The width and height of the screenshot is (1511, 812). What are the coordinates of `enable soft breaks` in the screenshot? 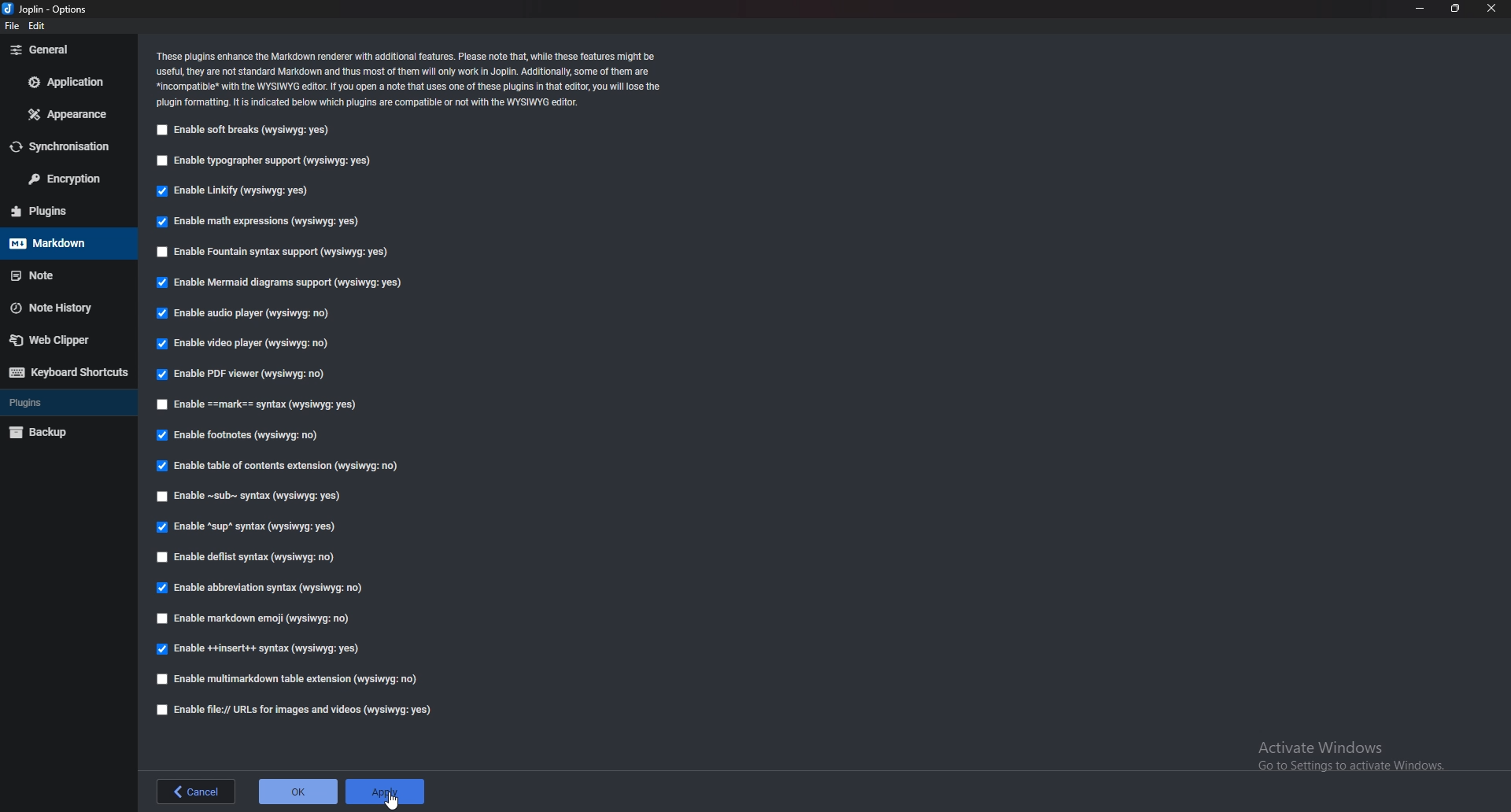 It's located at (246, 131).